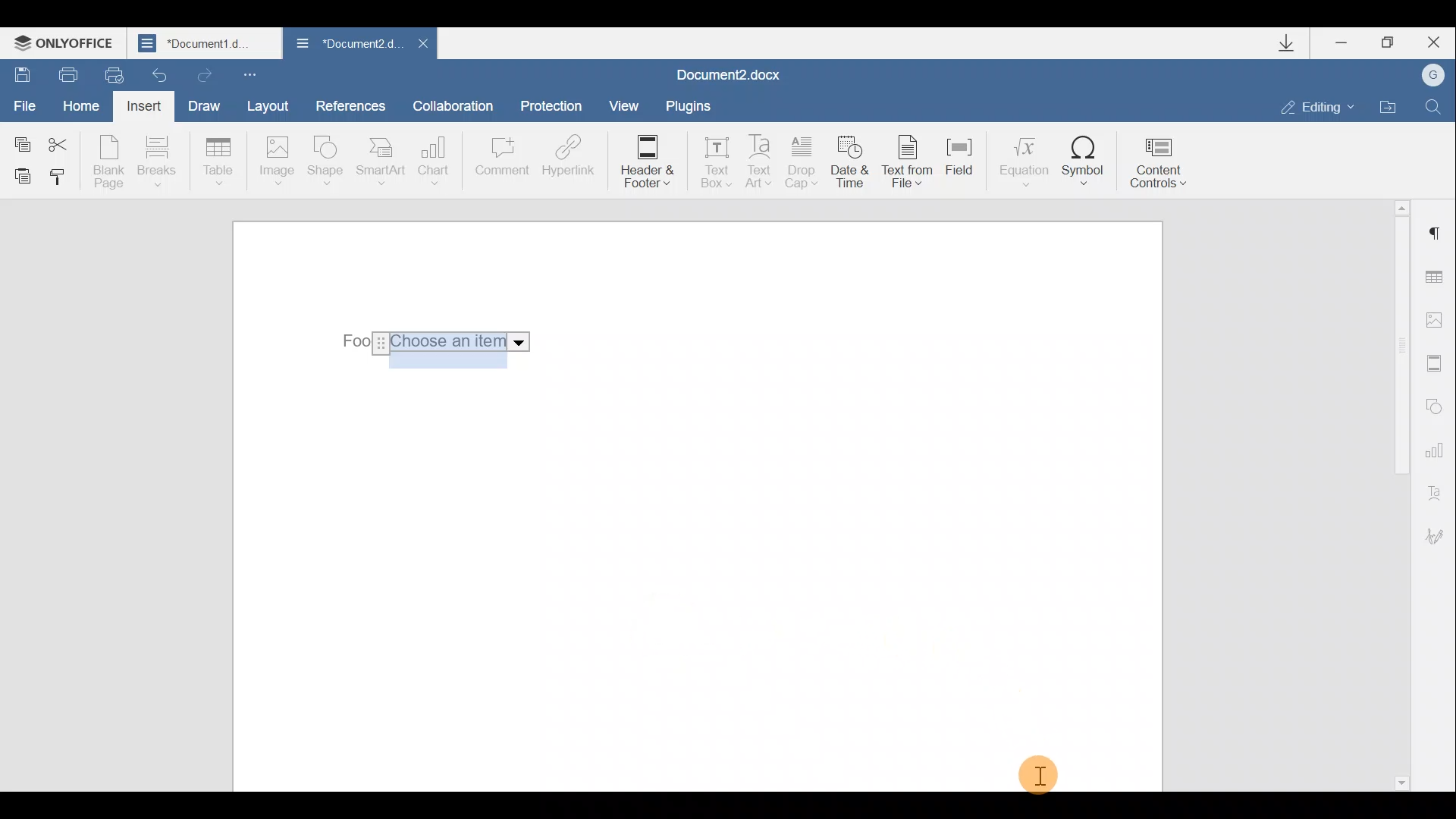 The height and width of the screenshot is (819, 1456). I want to click on Draw, so click(202, 104).